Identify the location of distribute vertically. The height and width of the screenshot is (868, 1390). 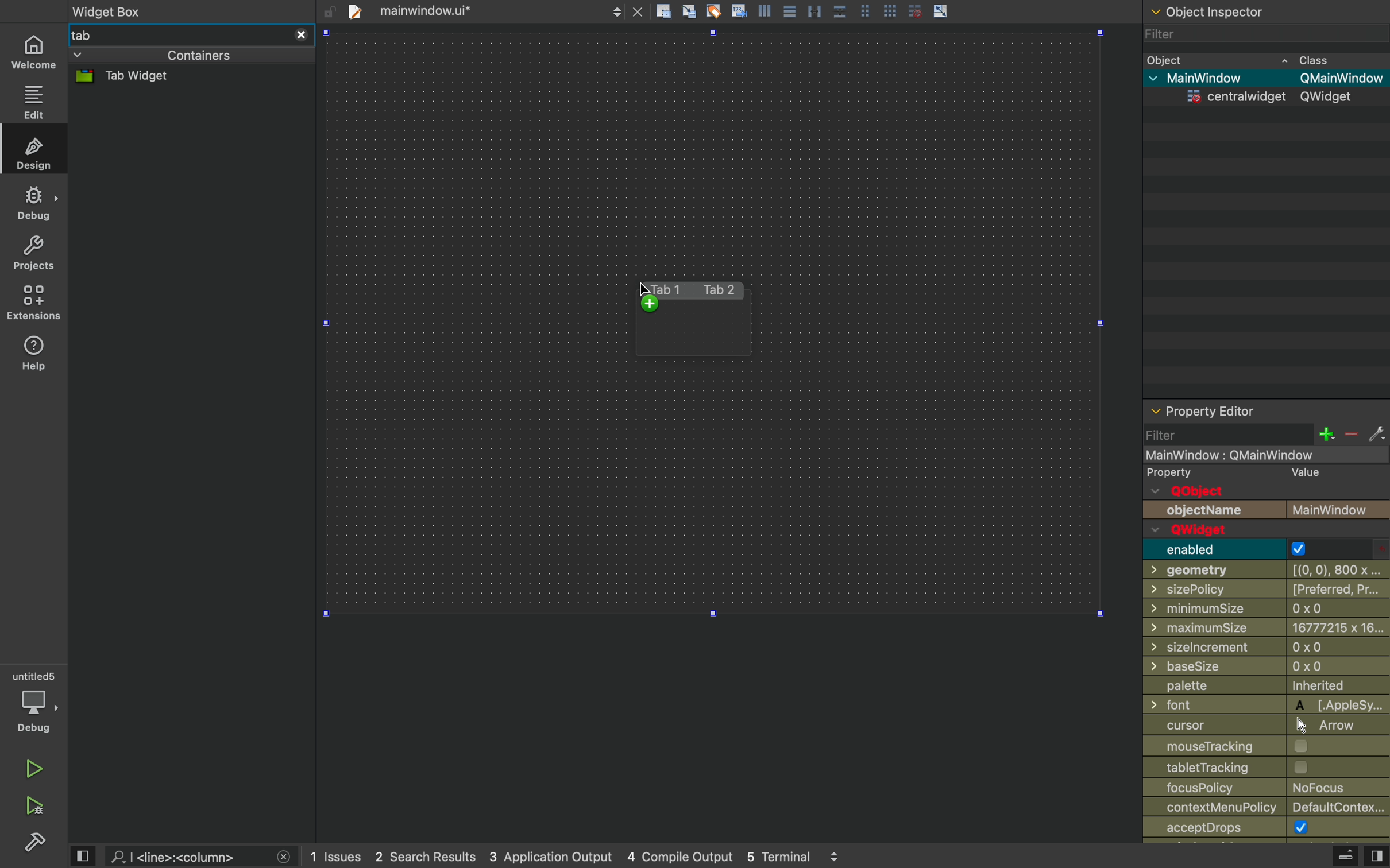
(841, 11).